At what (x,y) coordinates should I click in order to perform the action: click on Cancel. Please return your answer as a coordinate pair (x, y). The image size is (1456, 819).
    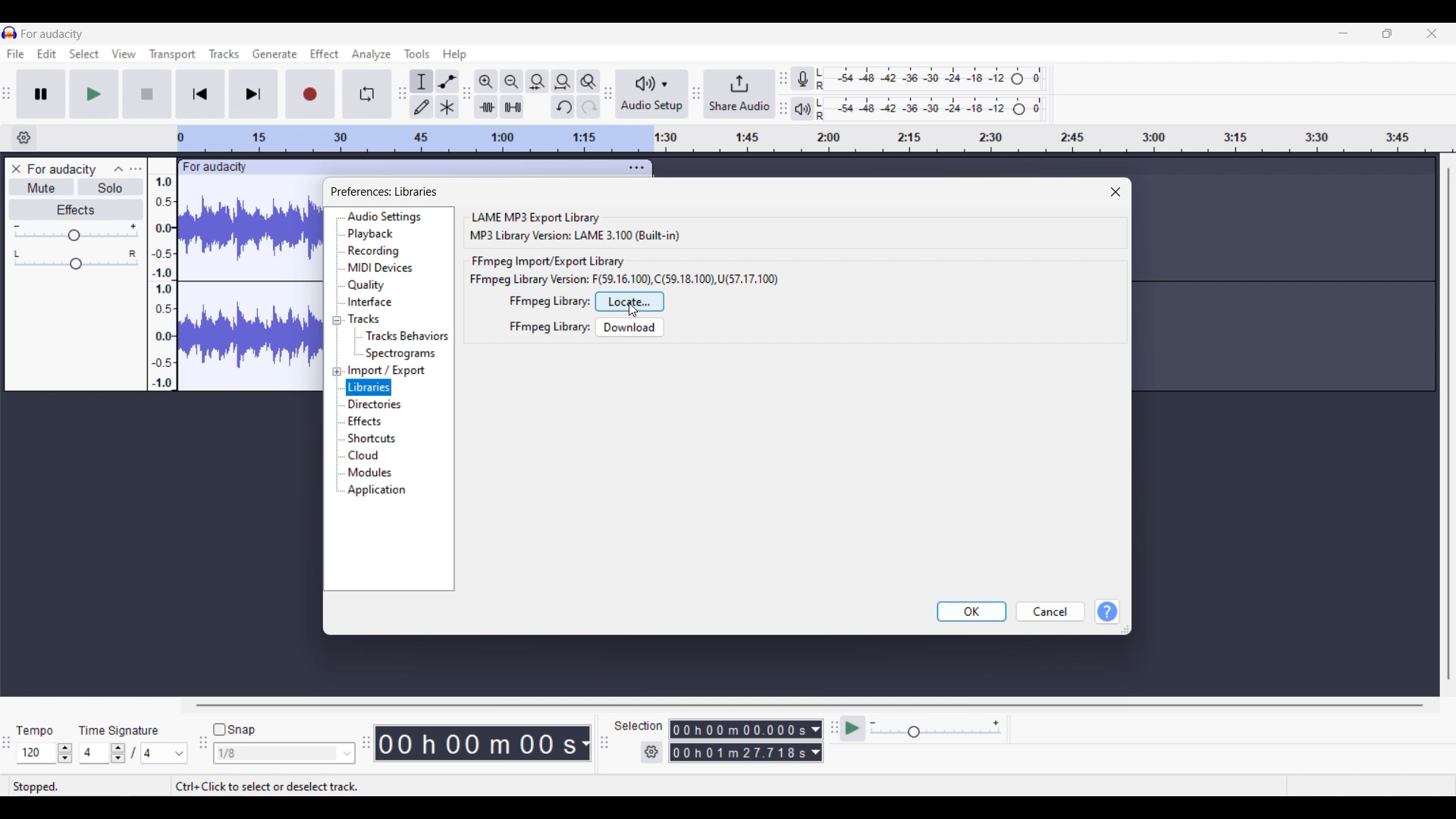
    Looking at the image, I should click on (1050, 611).